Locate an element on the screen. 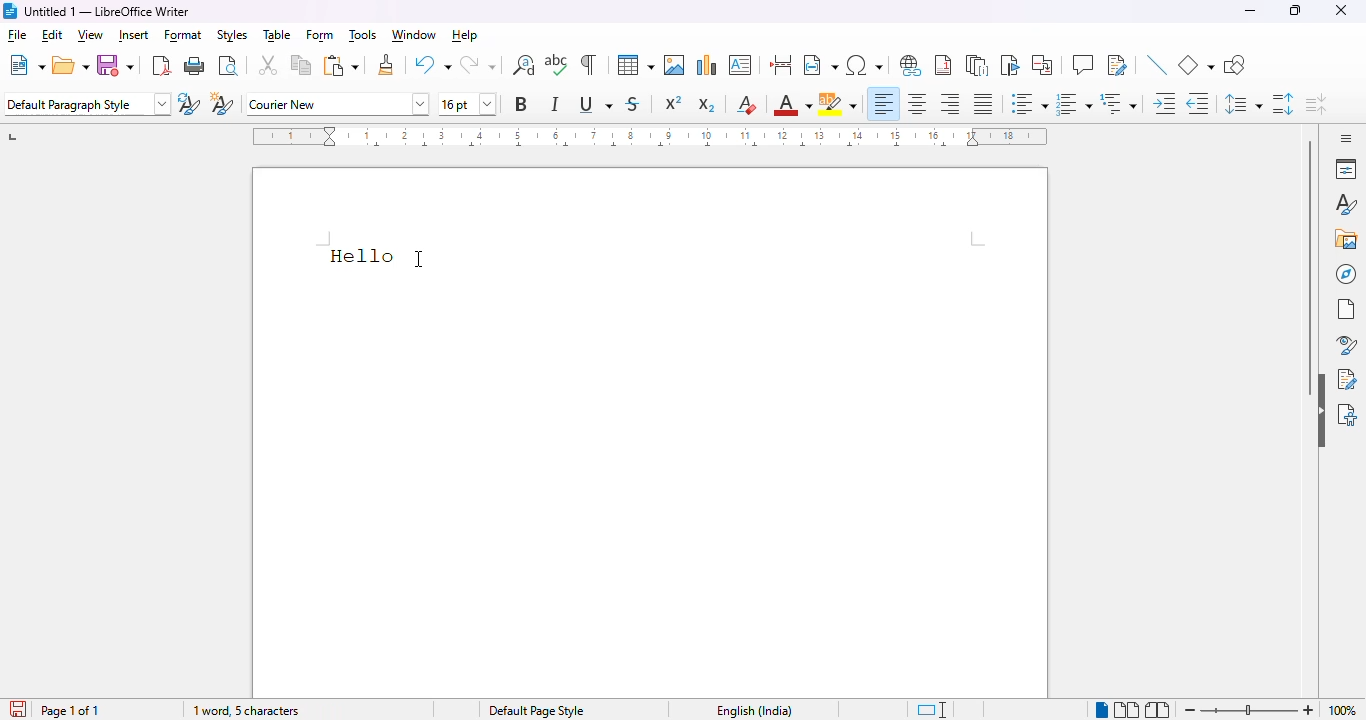 The width and height of the screenshot is (1366, 720). toggle unordered list is located at coordinates (1029, 104).